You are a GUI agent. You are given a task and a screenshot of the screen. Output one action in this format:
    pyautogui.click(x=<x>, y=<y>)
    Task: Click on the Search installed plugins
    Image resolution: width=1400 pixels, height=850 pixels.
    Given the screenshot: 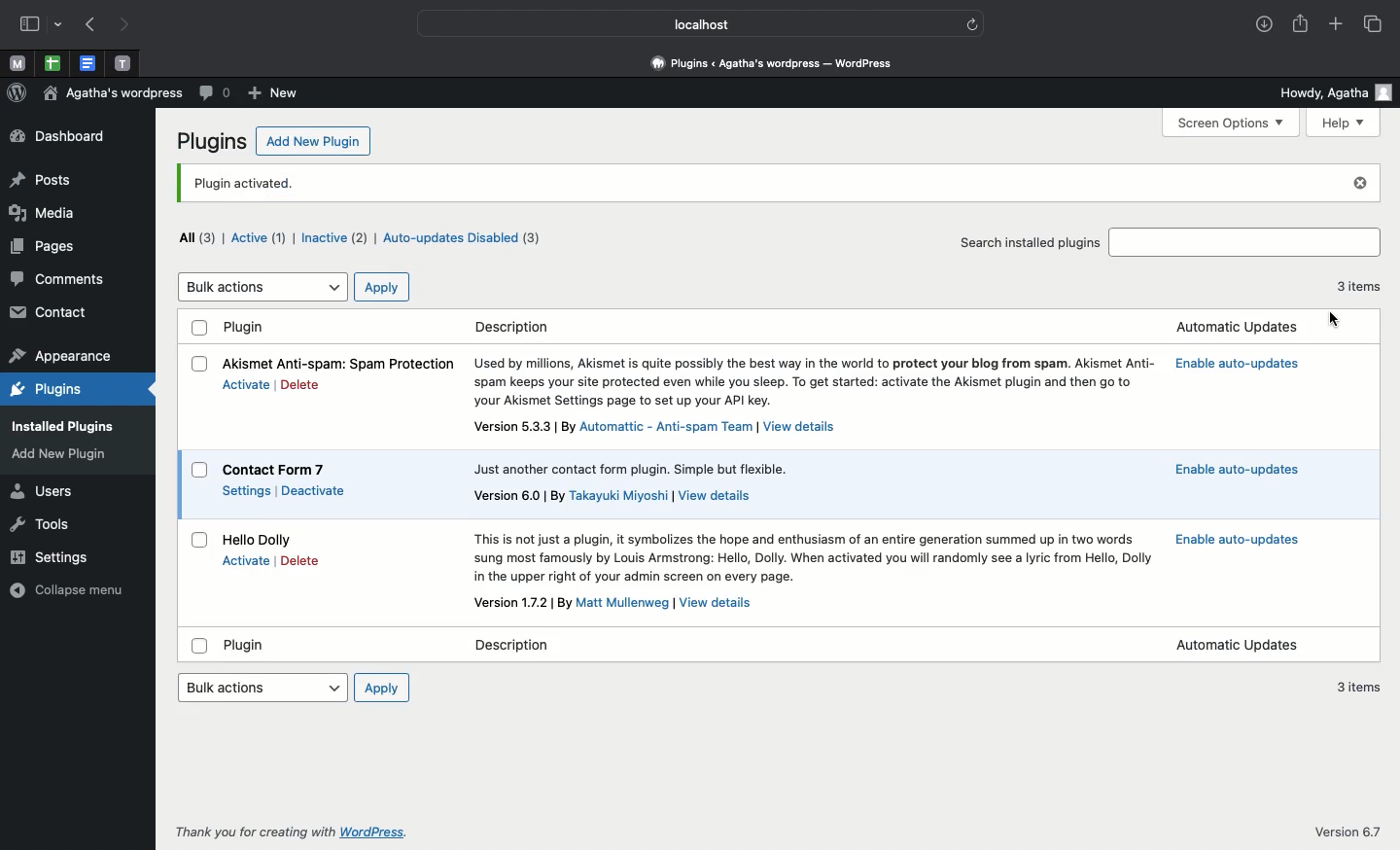 What is the action you would take?
    pyautogui.click(x=1030, y=240)
    